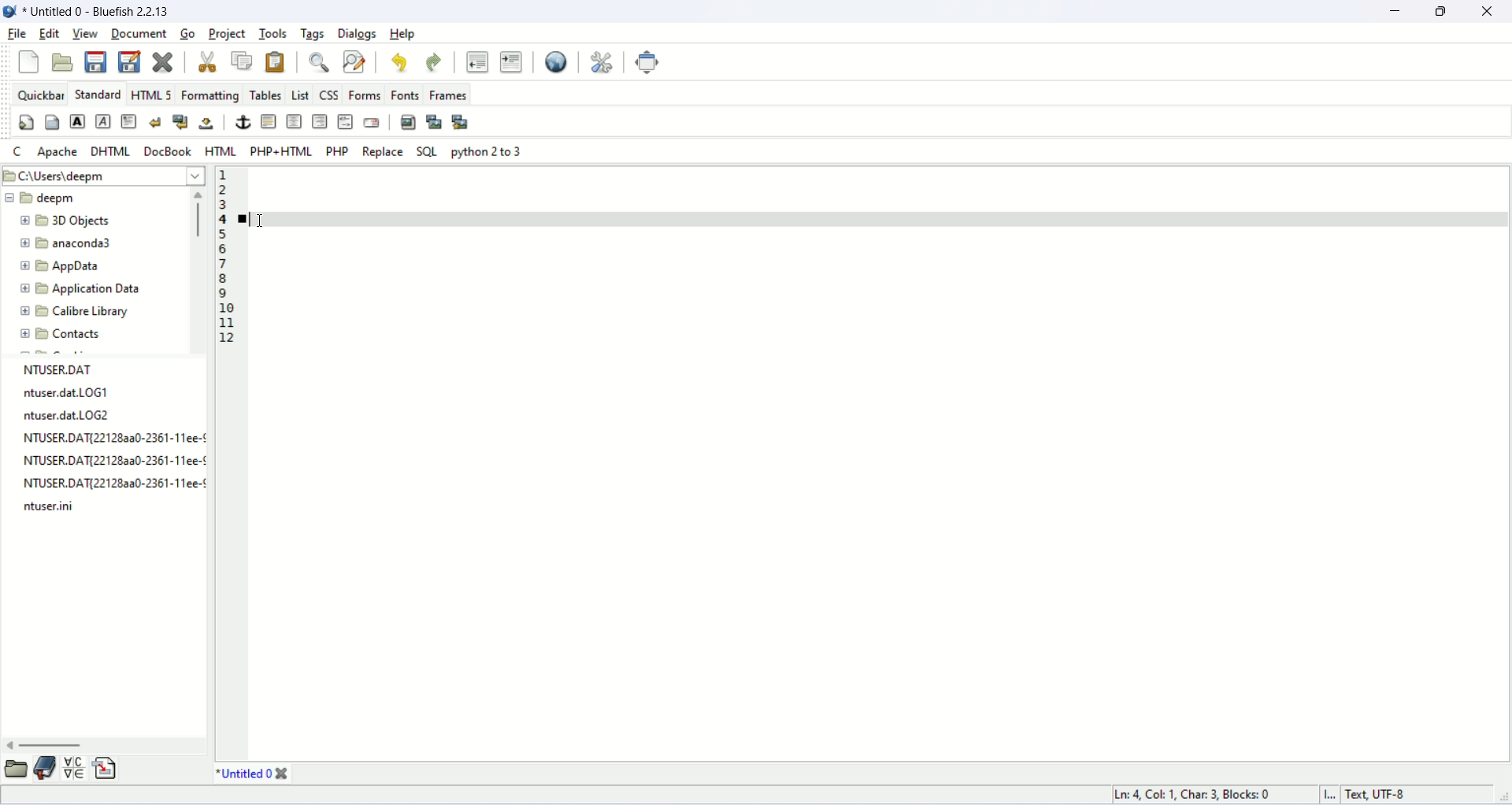 This screenshot has width=1512, height=805. Describe the element at coordinates (330, 94) in the screenshot. I see `CSS` at that location.